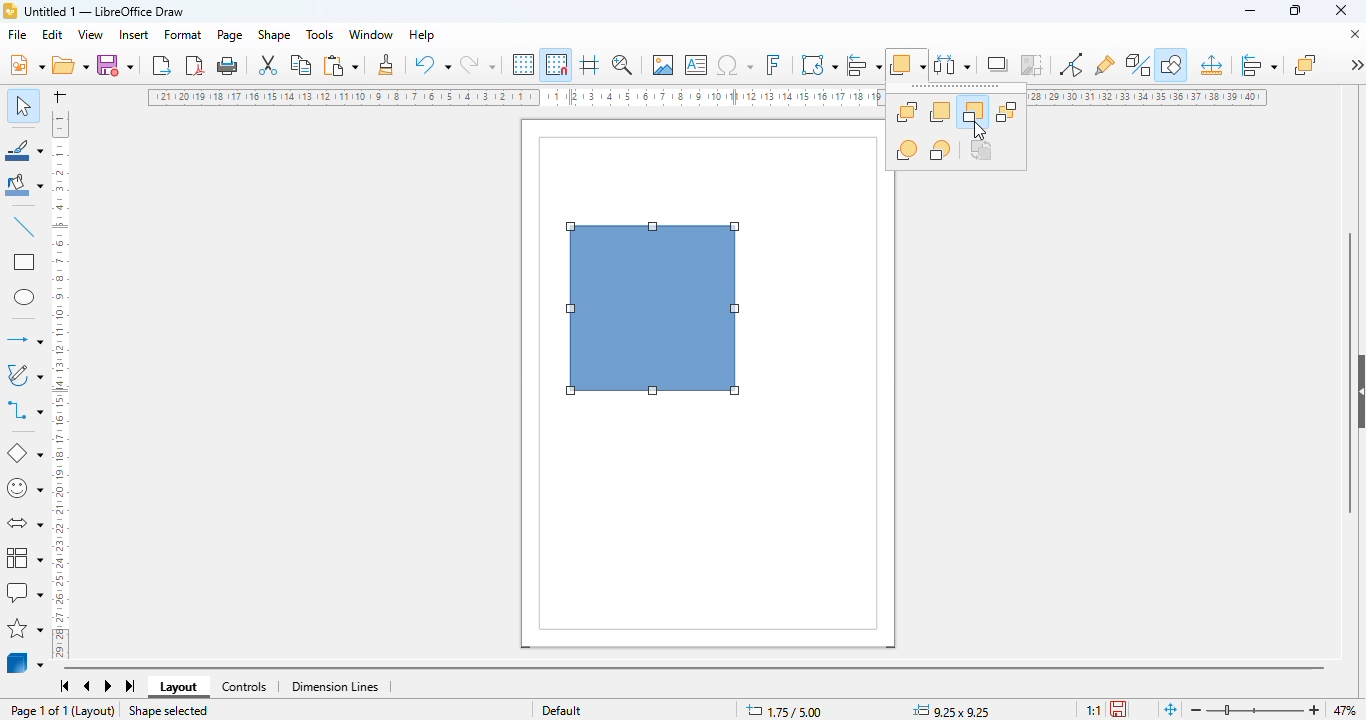 This screenshot has height=720, width=1366. Describe the element at coordinates (941, 150) in the screenshot. I see `behind object` at that location.